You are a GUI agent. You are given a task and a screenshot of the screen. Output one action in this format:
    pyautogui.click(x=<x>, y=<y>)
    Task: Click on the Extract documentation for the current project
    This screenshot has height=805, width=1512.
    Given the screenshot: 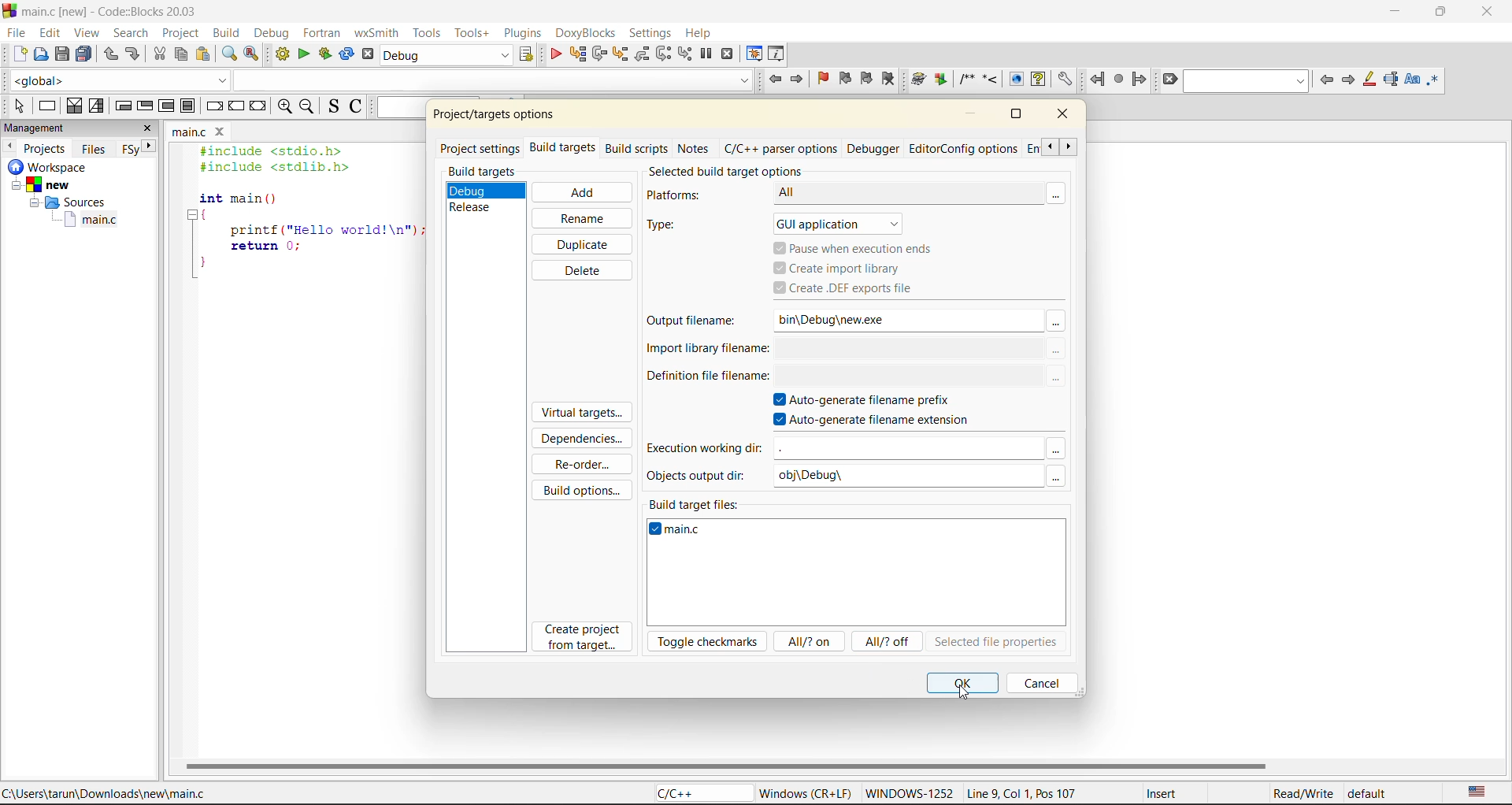 What is the action you would take?
    pyautogui.click(x=941, y=80)
    